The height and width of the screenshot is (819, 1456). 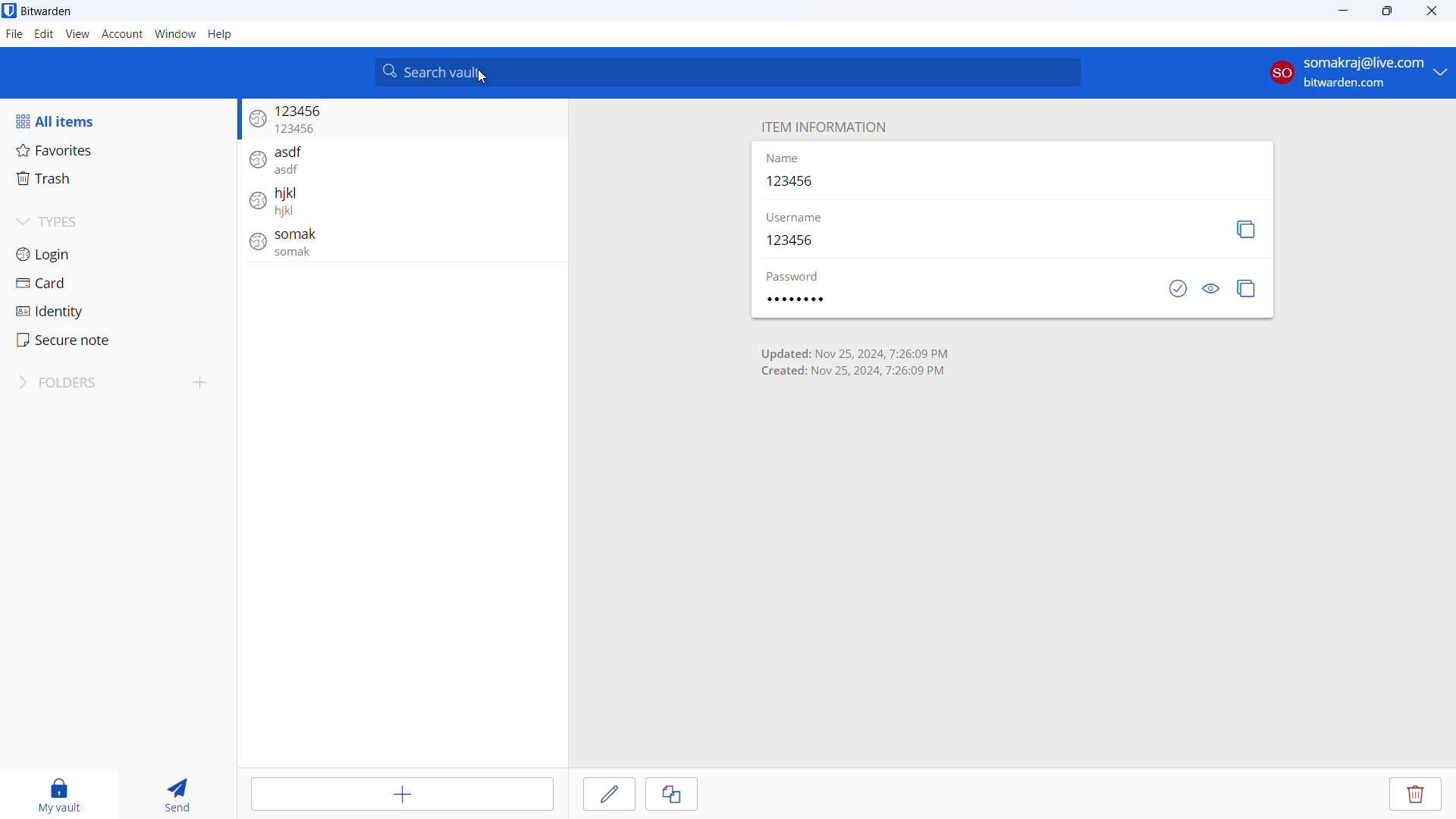 What do you see at coordinates (855, 360) in the screenshot?
I see `time of creation and last update` at bounding box center [855, 360].